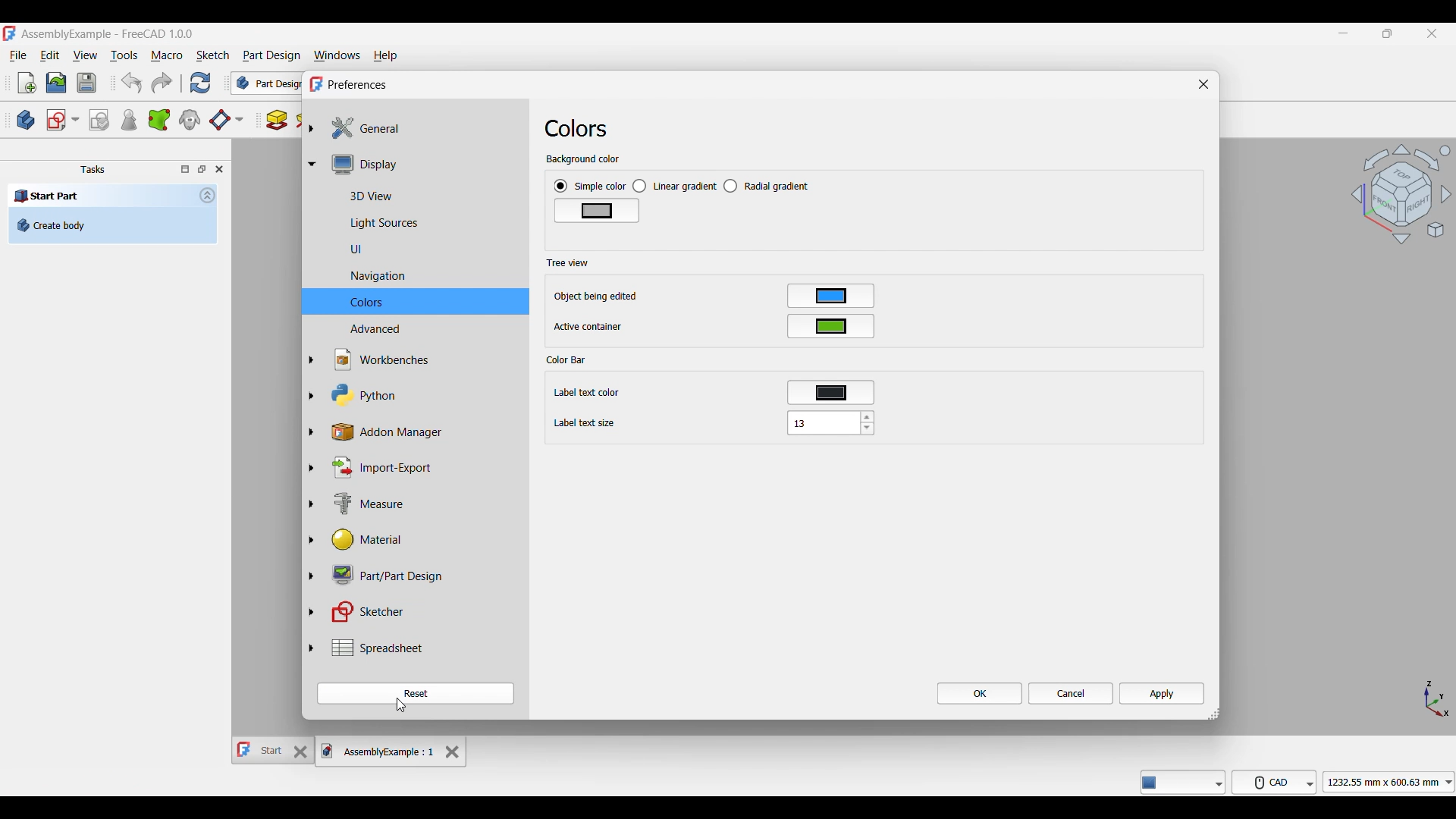 The image size is (1456, 819). Describe the element at coordinates (415, 693) in the screenshot. I see `Reset` at that location.